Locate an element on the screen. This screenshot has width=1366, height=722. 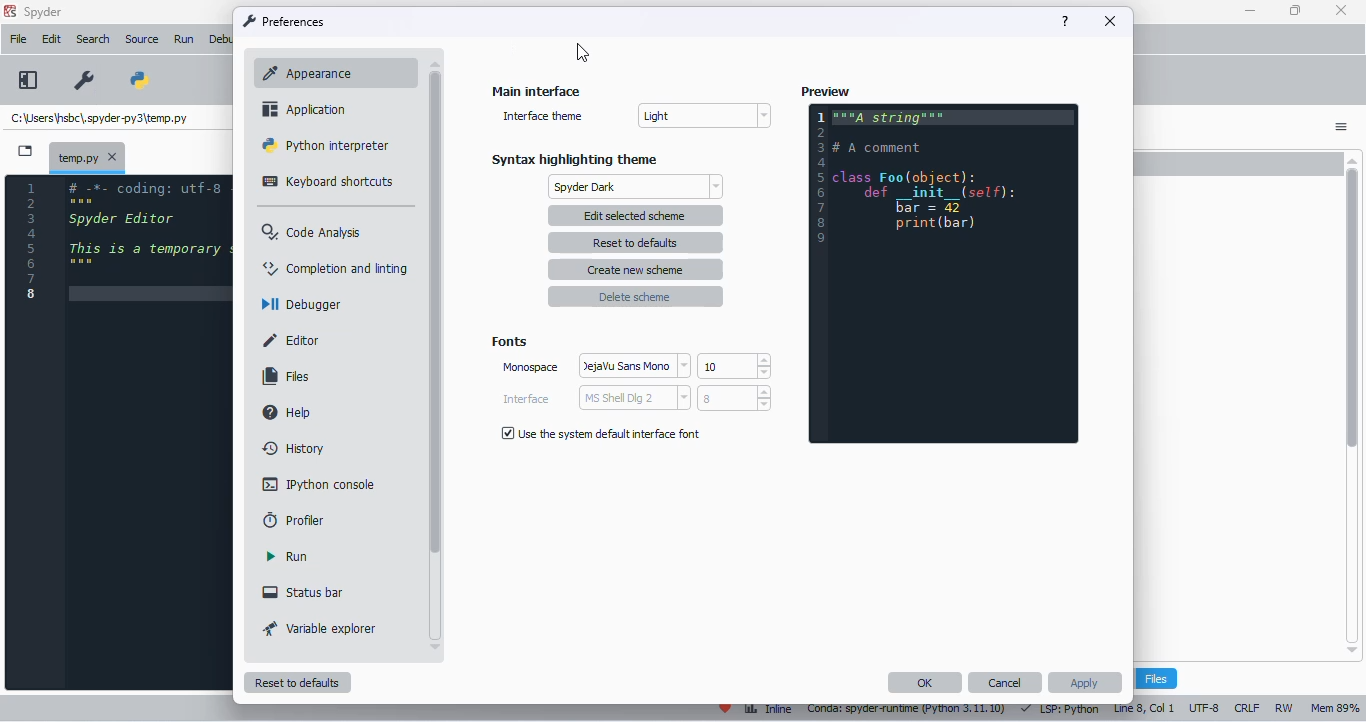
cursor is located at coordinates (582, 53).